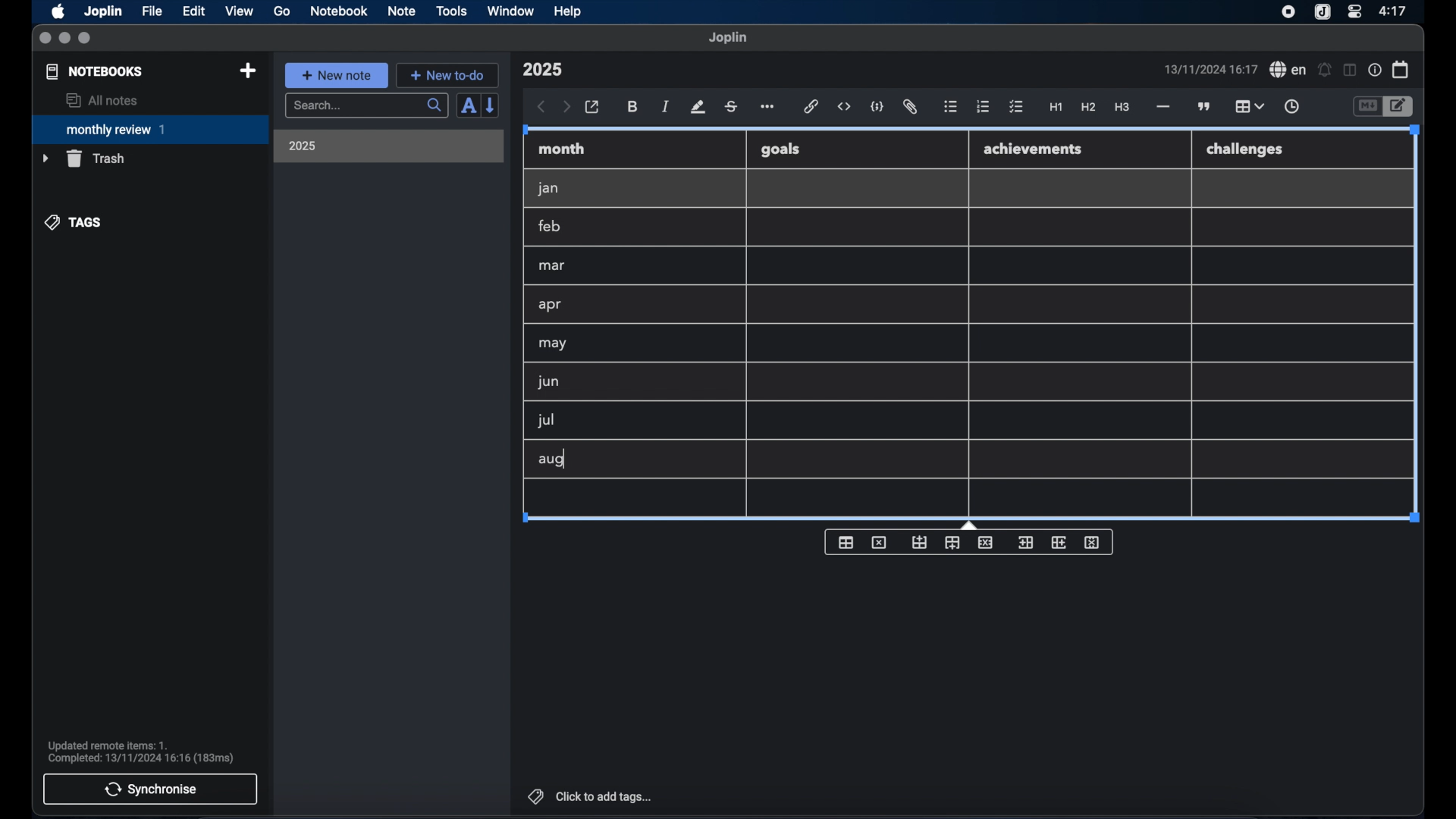 This screenshot has height=819, width=1456. I want to click on insert column before, so click(1025, 543).